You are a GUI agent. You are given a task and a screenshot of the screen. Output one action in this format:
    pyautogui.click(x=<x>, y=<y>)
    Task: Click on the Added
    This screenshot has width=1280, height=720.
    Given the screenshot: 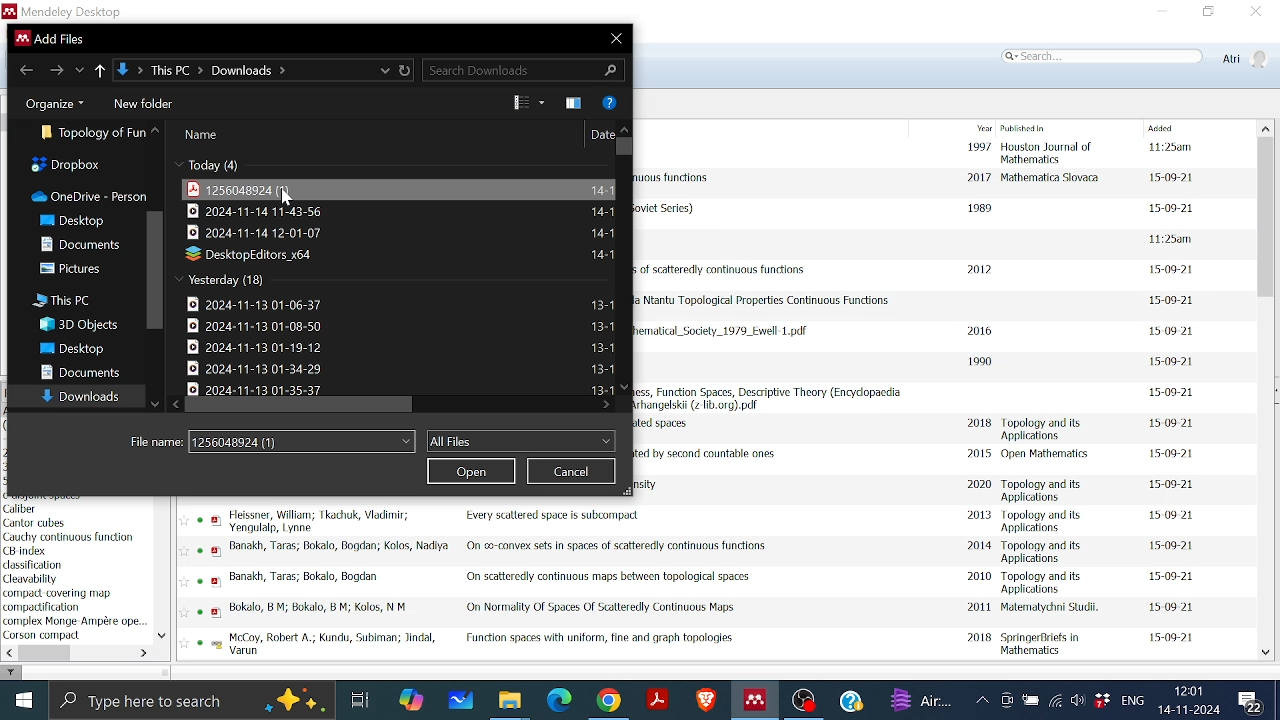 What is the action you would take?
    pyautogui.click(x=1164, y=127)
    